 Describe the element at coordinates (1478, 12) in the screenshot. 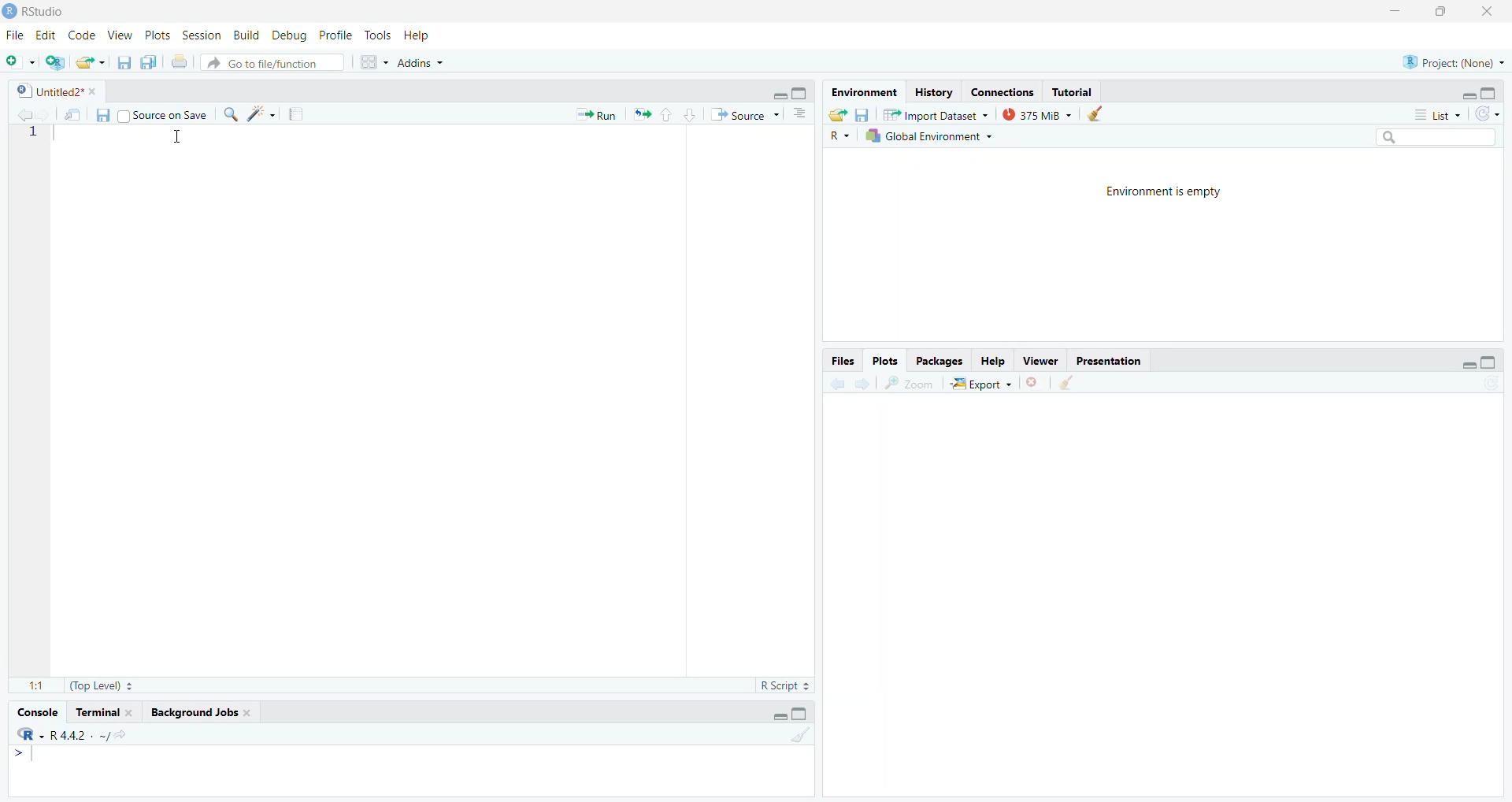

I see `close` at that location.